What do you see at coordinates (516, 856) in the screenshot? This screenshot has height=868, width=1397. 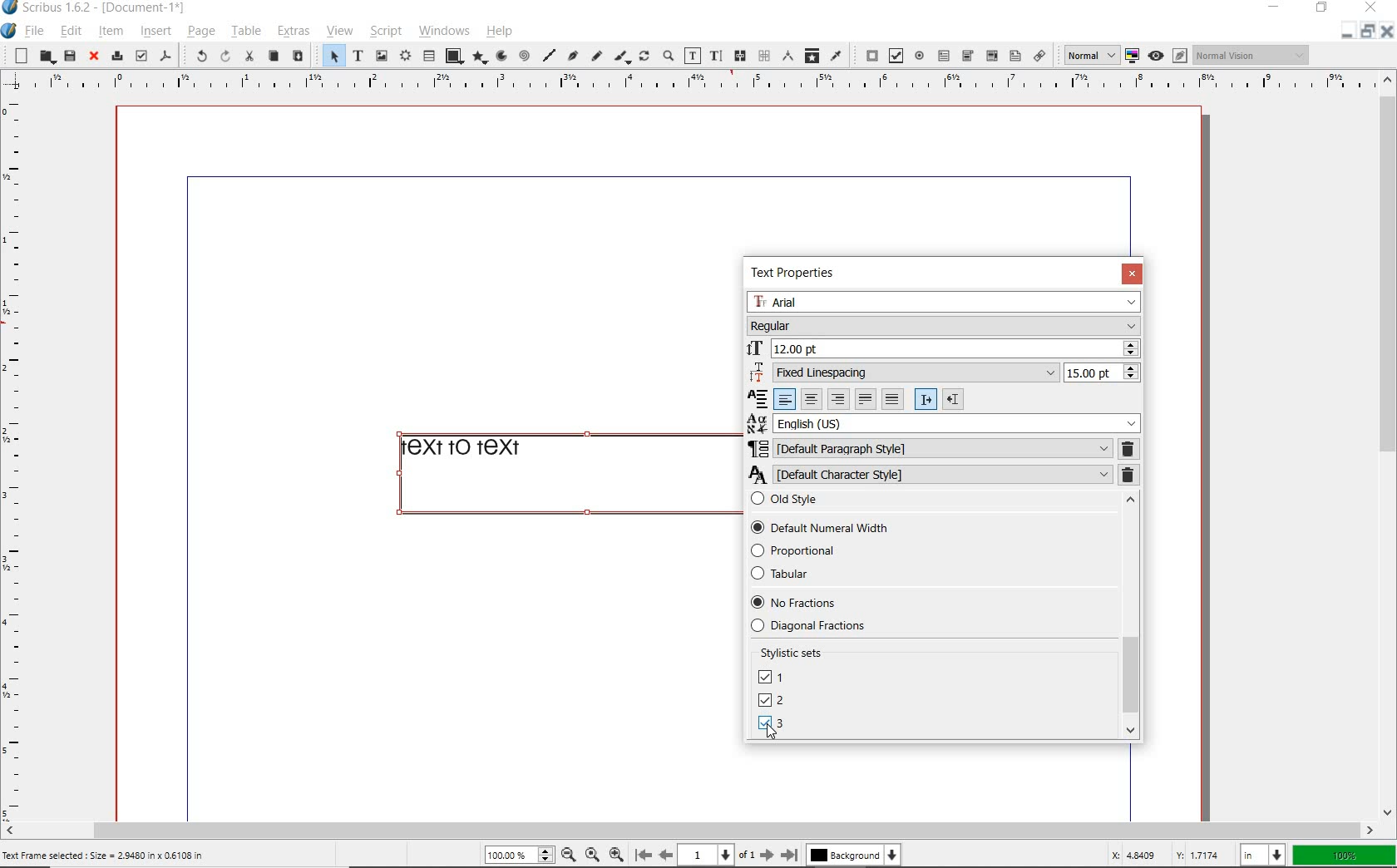 I see `100%` at bounding box center [516, 856].